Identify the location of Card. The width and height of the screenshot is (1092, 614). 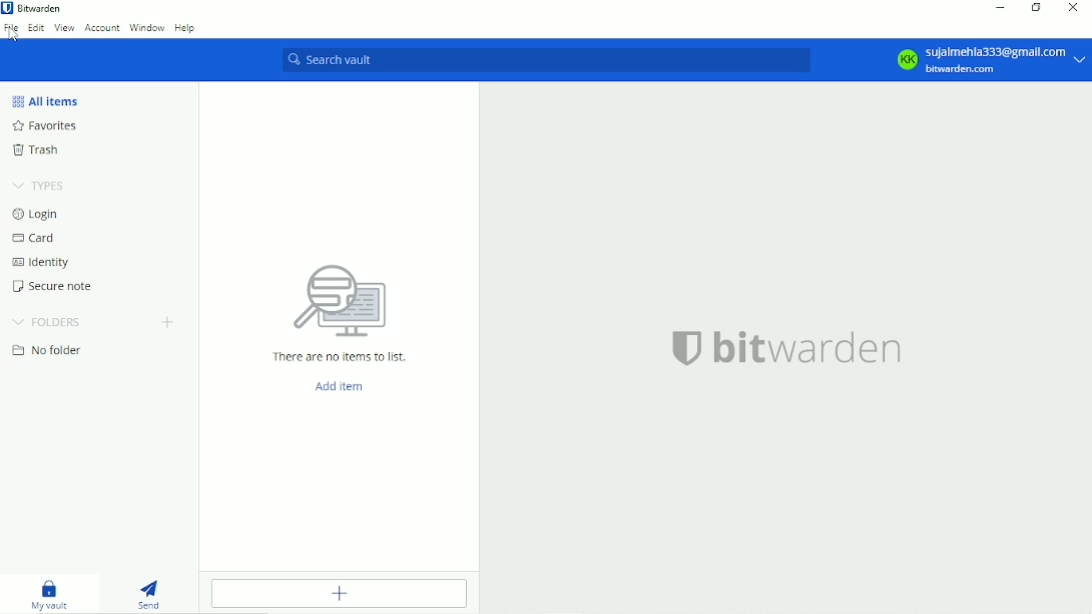
(38, 238).